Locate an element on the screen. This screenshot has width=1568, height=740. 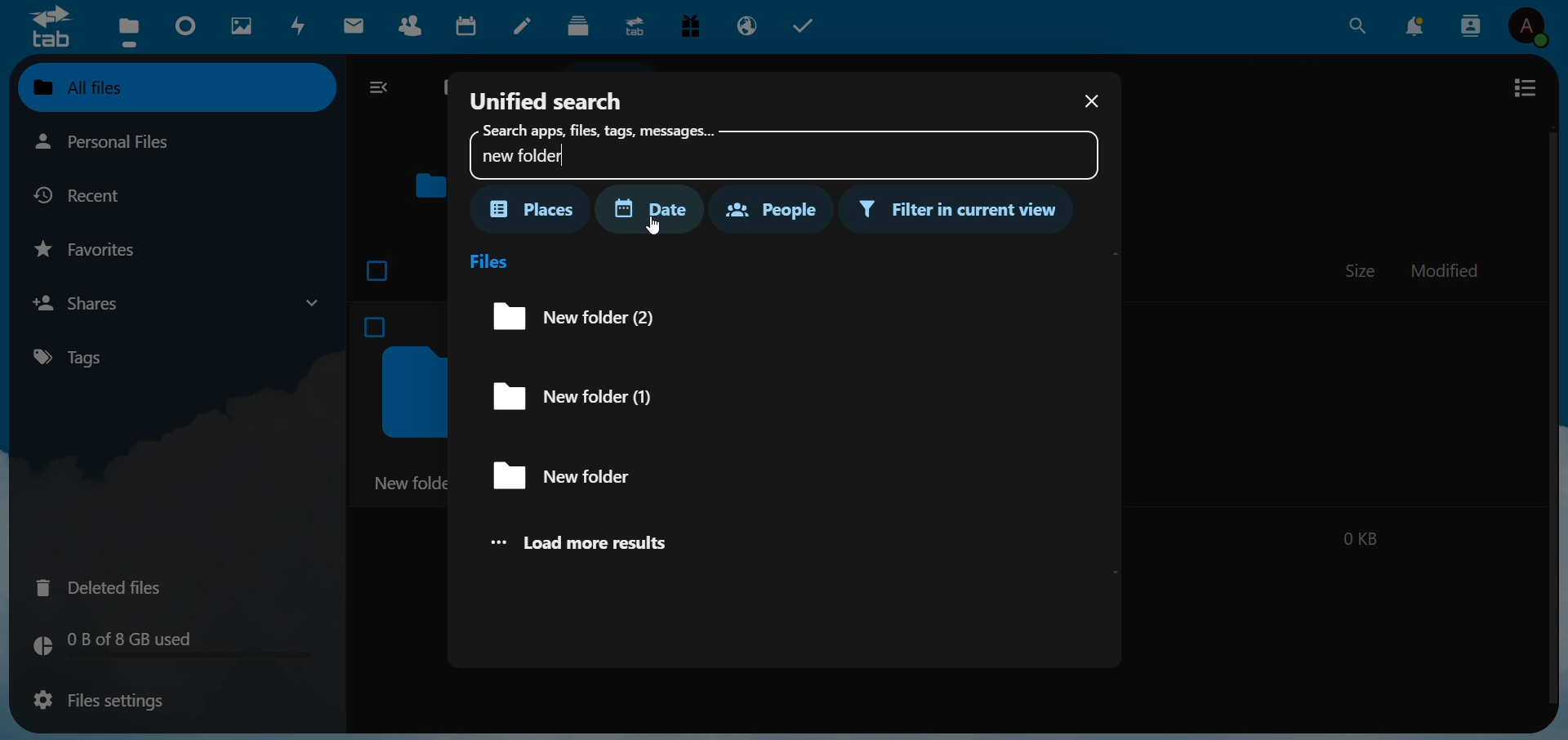
memory used is located at coordinates (168, 645).